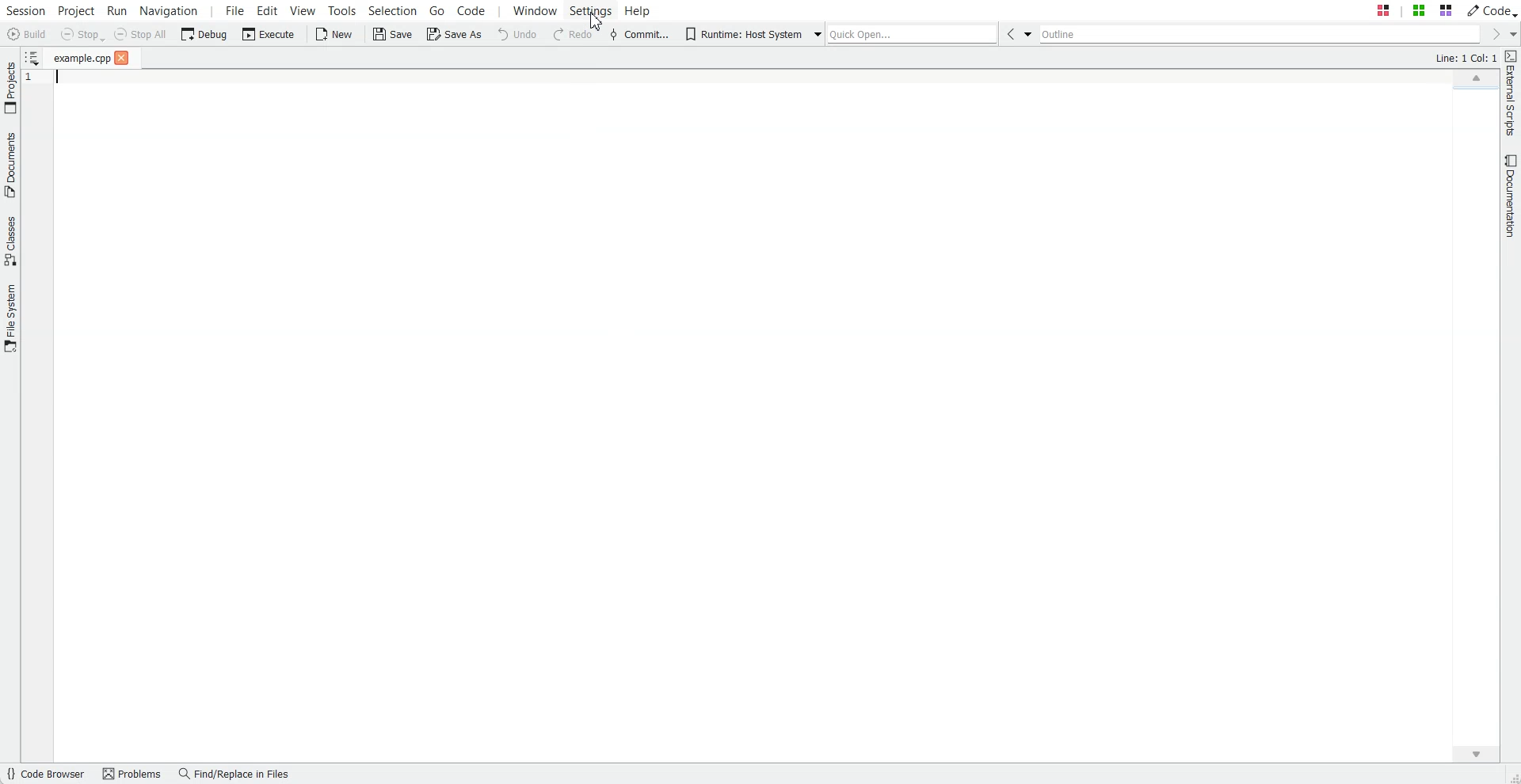  What do you see at coordinates (134, 774) in the screenshot?
I see `Problems` at bounding box center [134, 774].